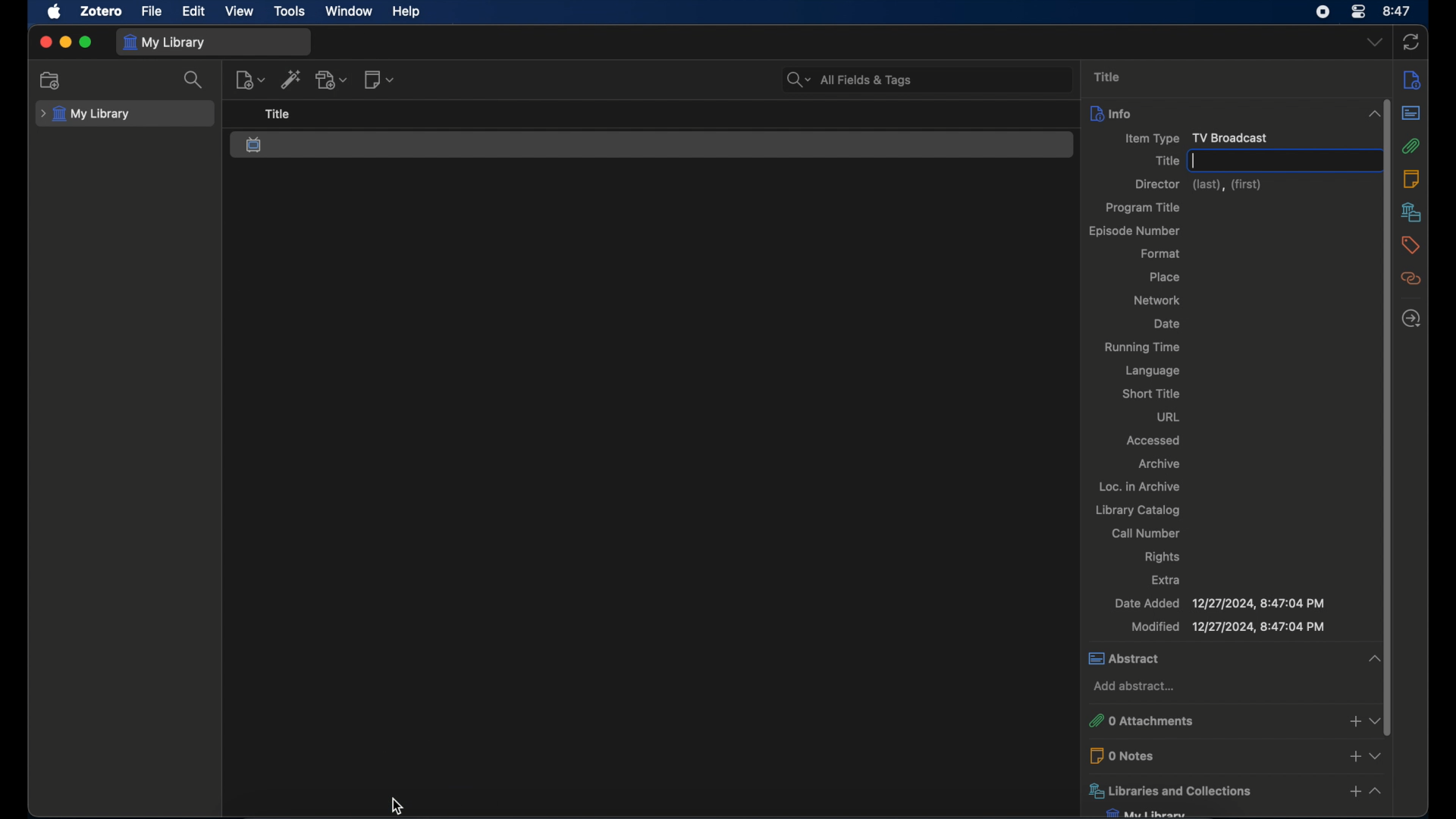 This screenshot has width=1456, height=819. I want to click on new item, so click(250, 79).